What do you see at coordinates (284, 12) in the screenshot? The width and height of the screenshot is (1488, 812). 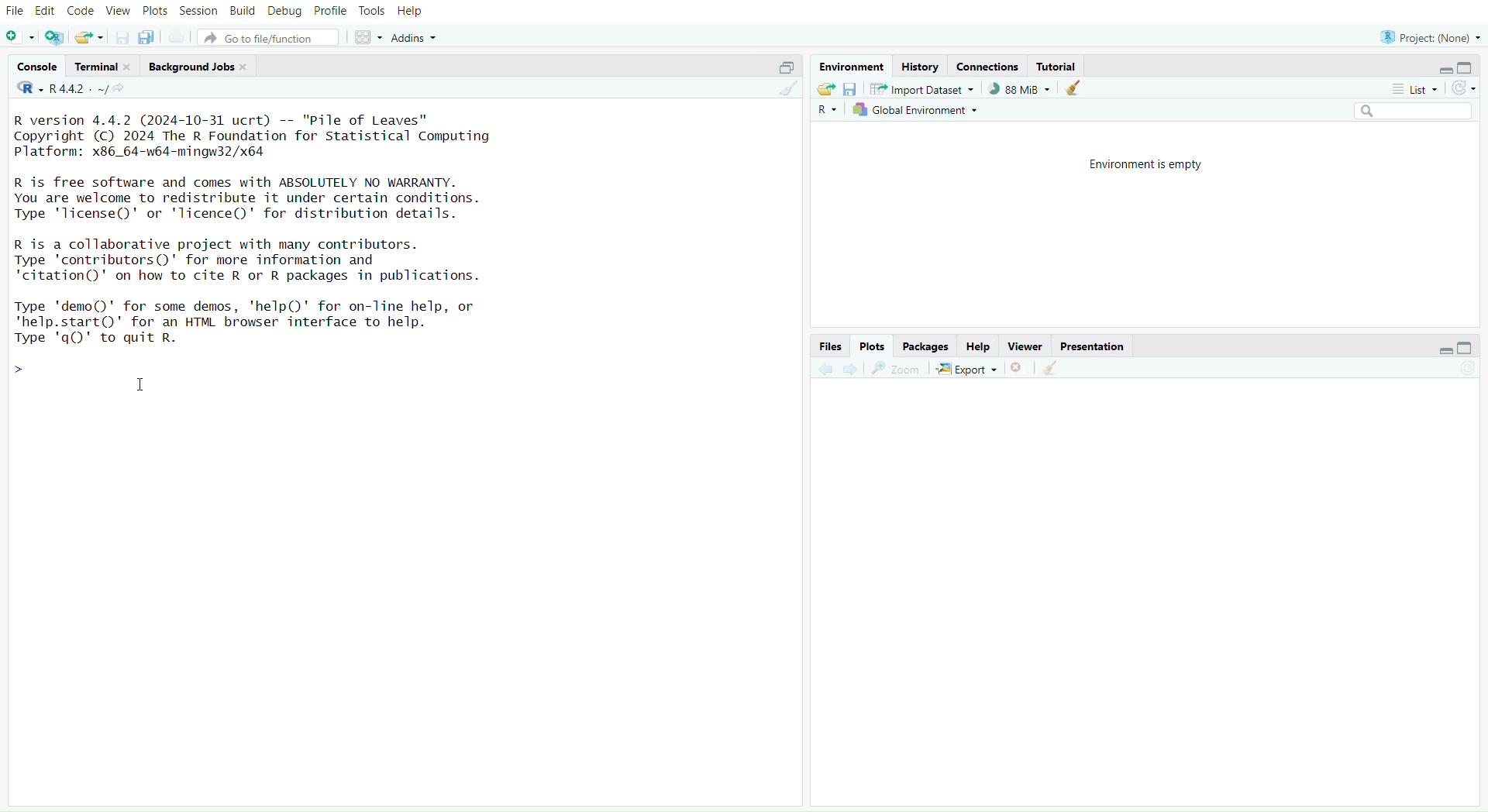 I see `debug` at bounding box center [284, 12].